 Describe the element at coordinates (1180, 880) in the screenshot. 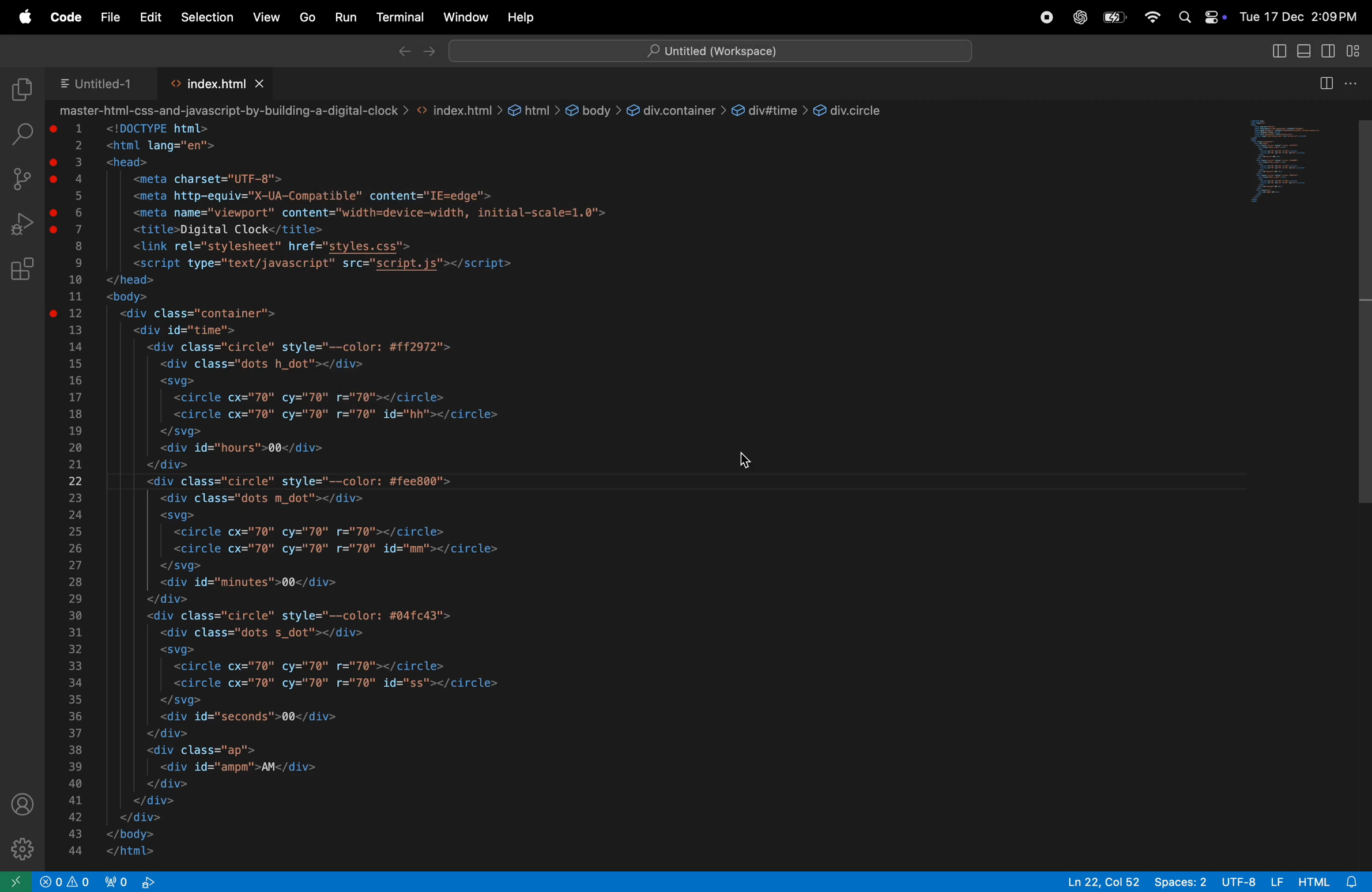

I see `spaces: 2` at that location.